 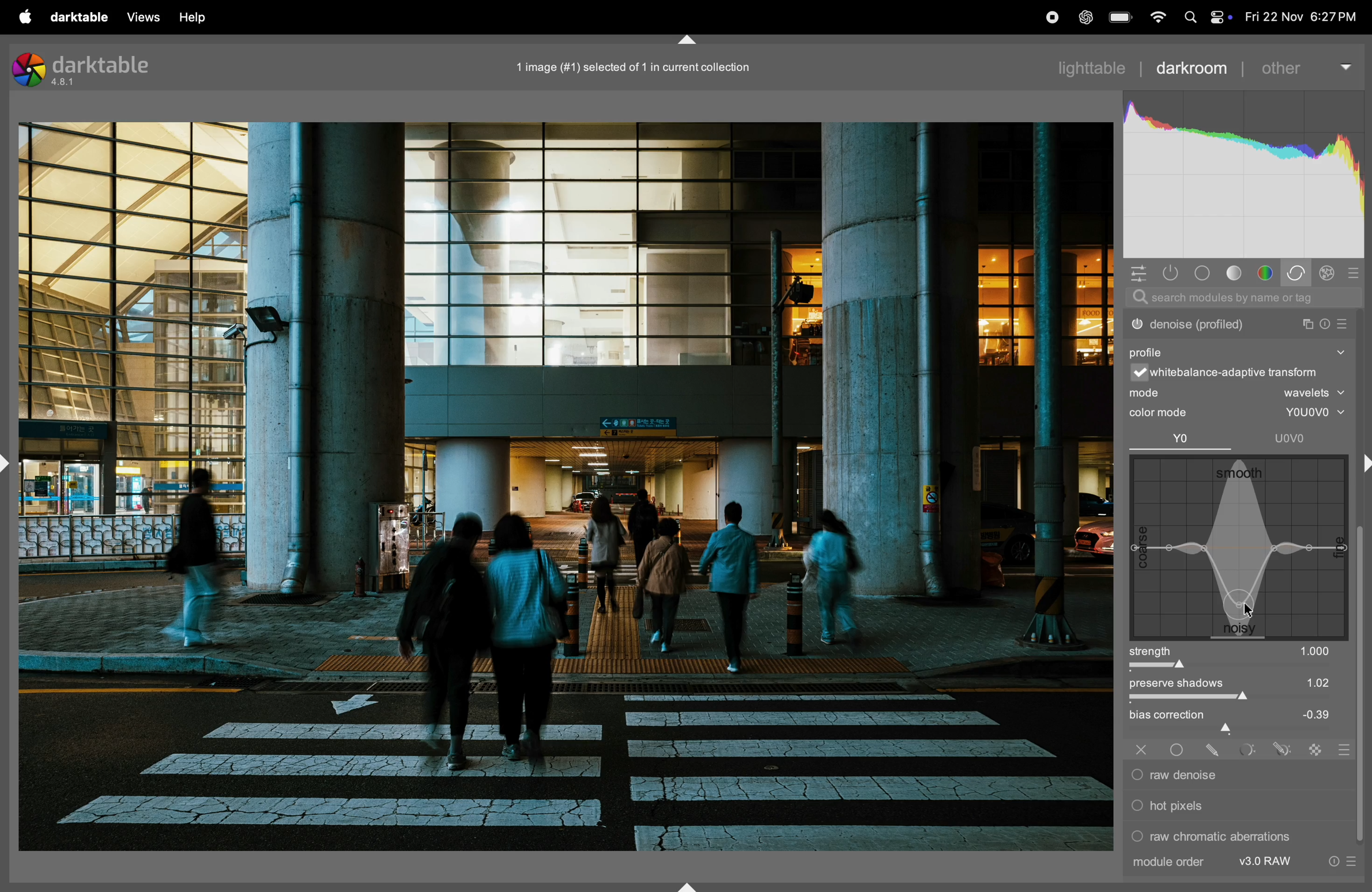 What do you see at coordinates (1243, 175) in the screenshot?
I see `histogram` at bounding box center [1243, 175].